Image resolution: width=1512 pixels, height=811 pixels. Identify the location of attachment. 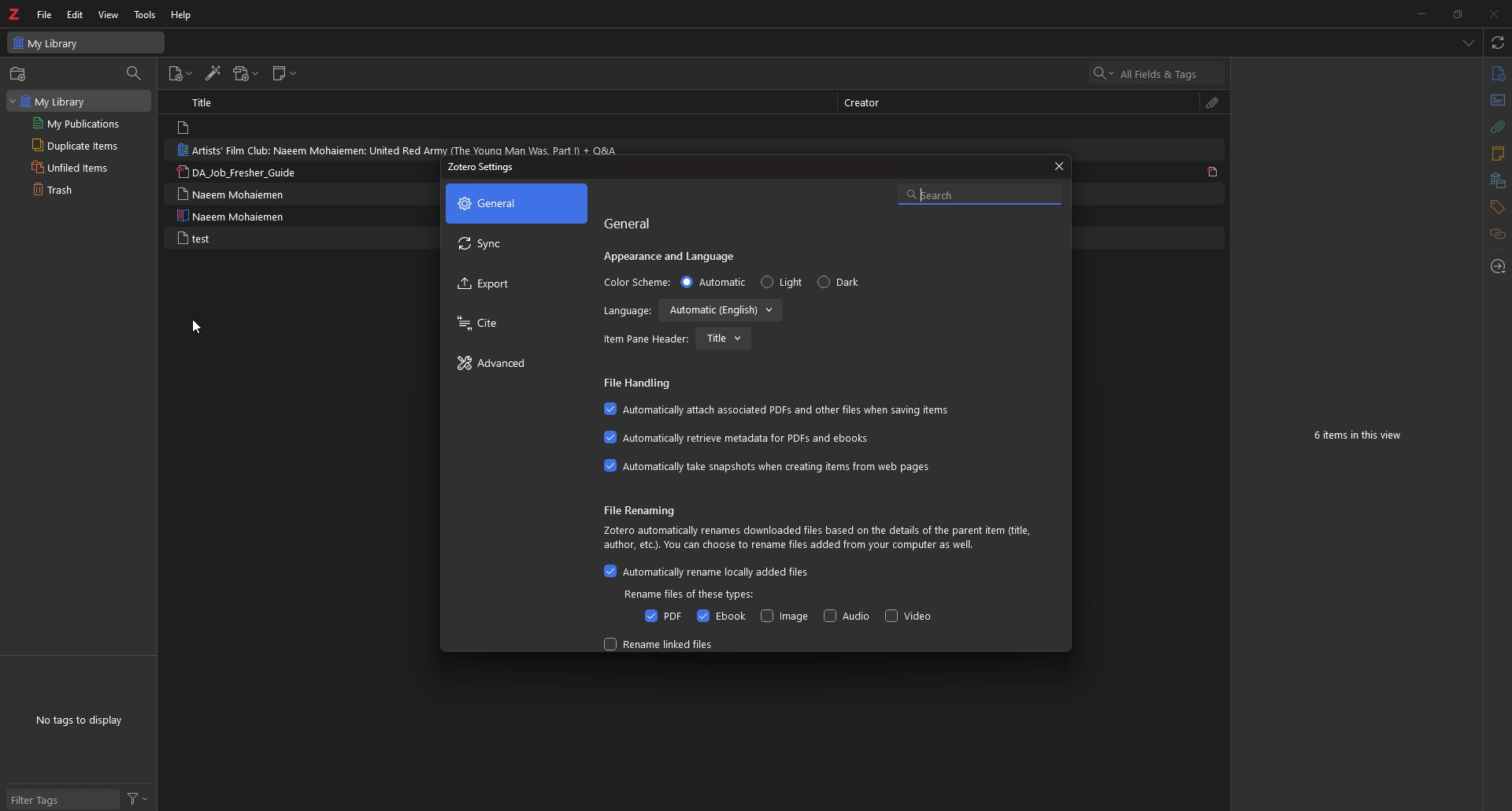
(1213, 104).